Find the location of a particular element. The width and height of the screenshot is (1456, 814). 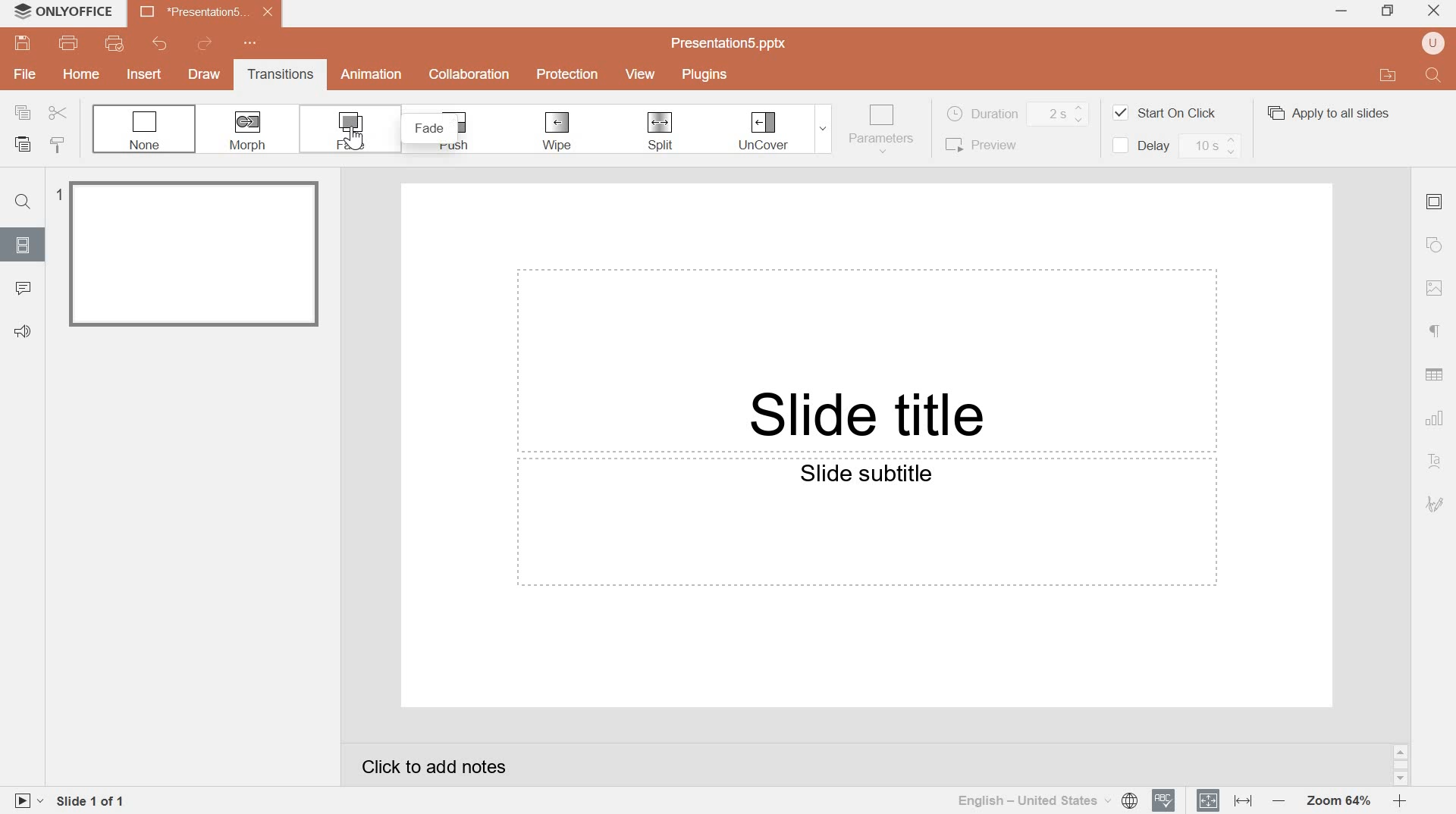

zoom out is located at coordinates (1276, 800).